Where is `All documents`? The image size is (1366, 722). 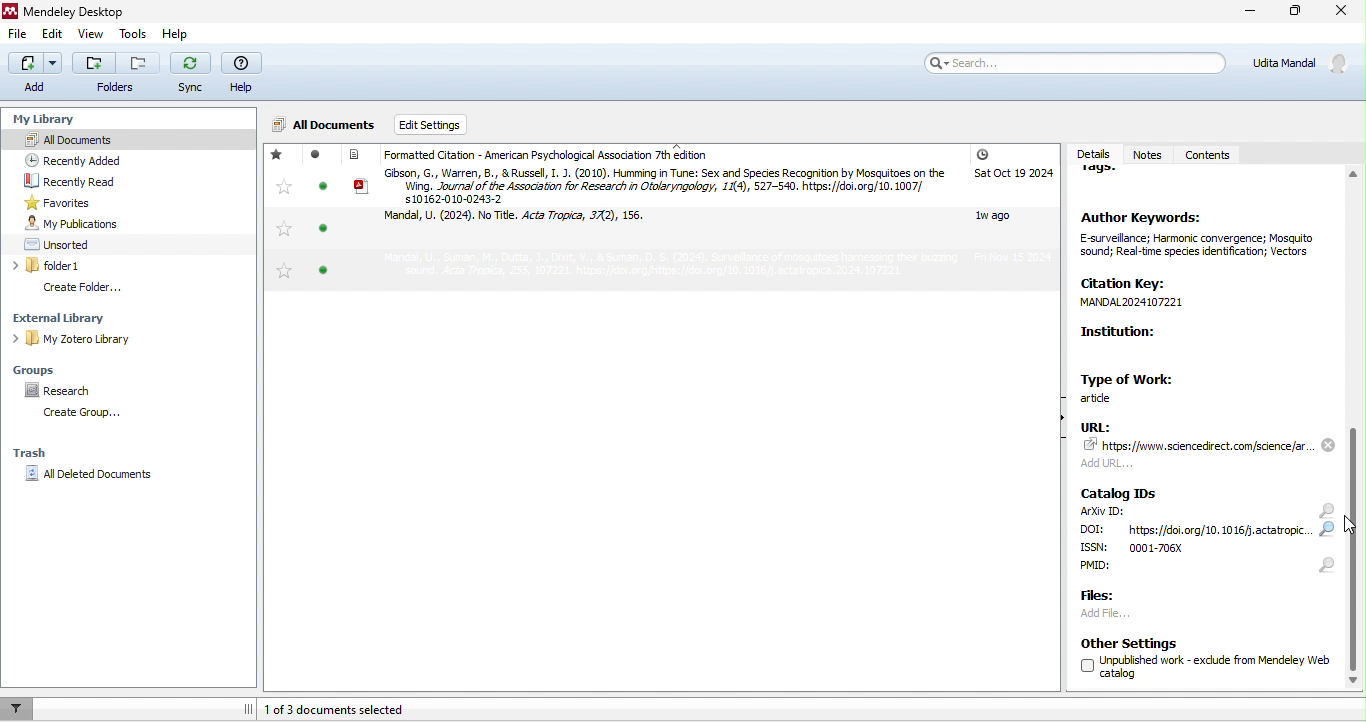 All documents is located at coordinates (325, 126).